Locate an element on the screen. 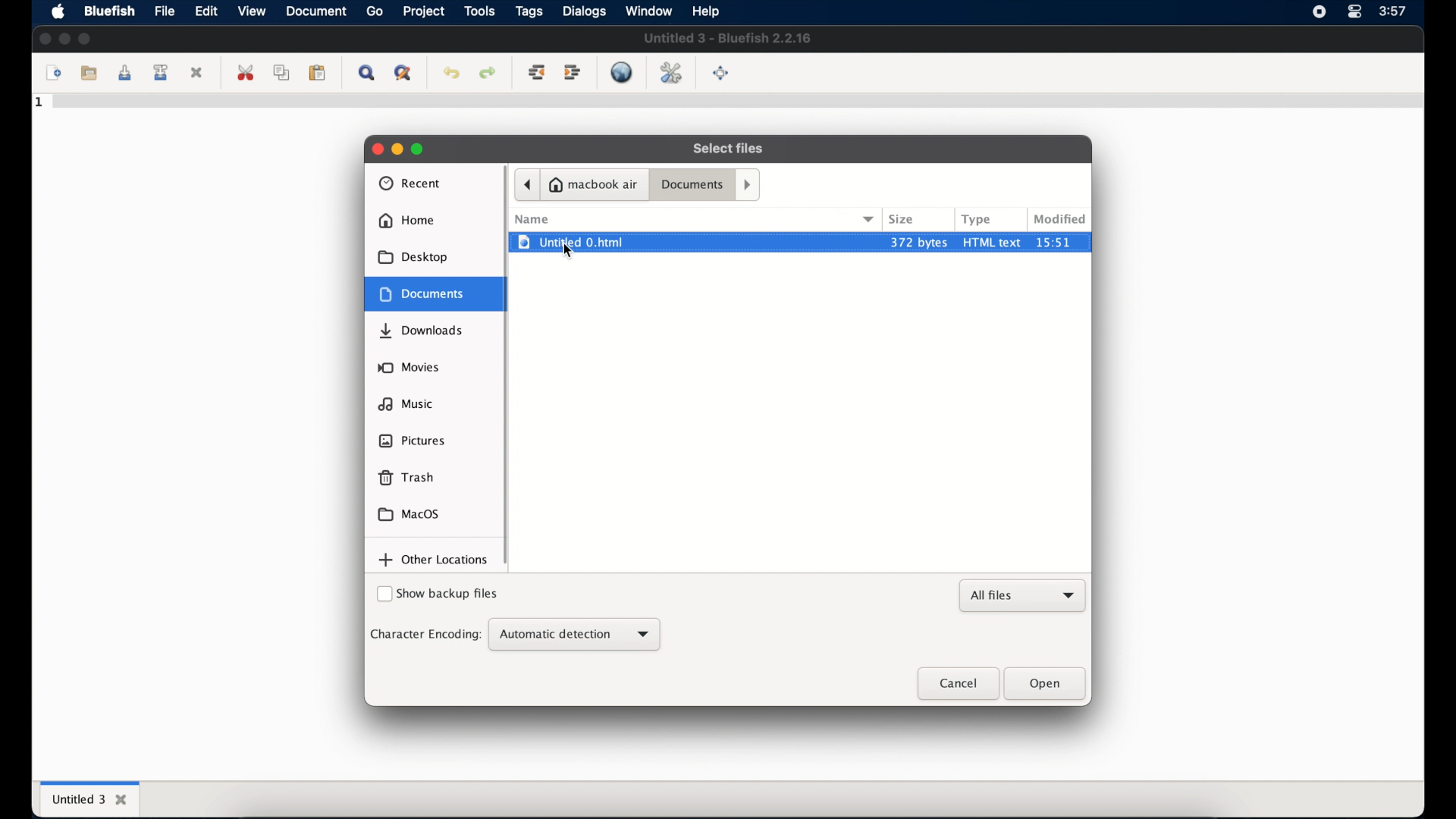  open is located at coordinates (87, 71).